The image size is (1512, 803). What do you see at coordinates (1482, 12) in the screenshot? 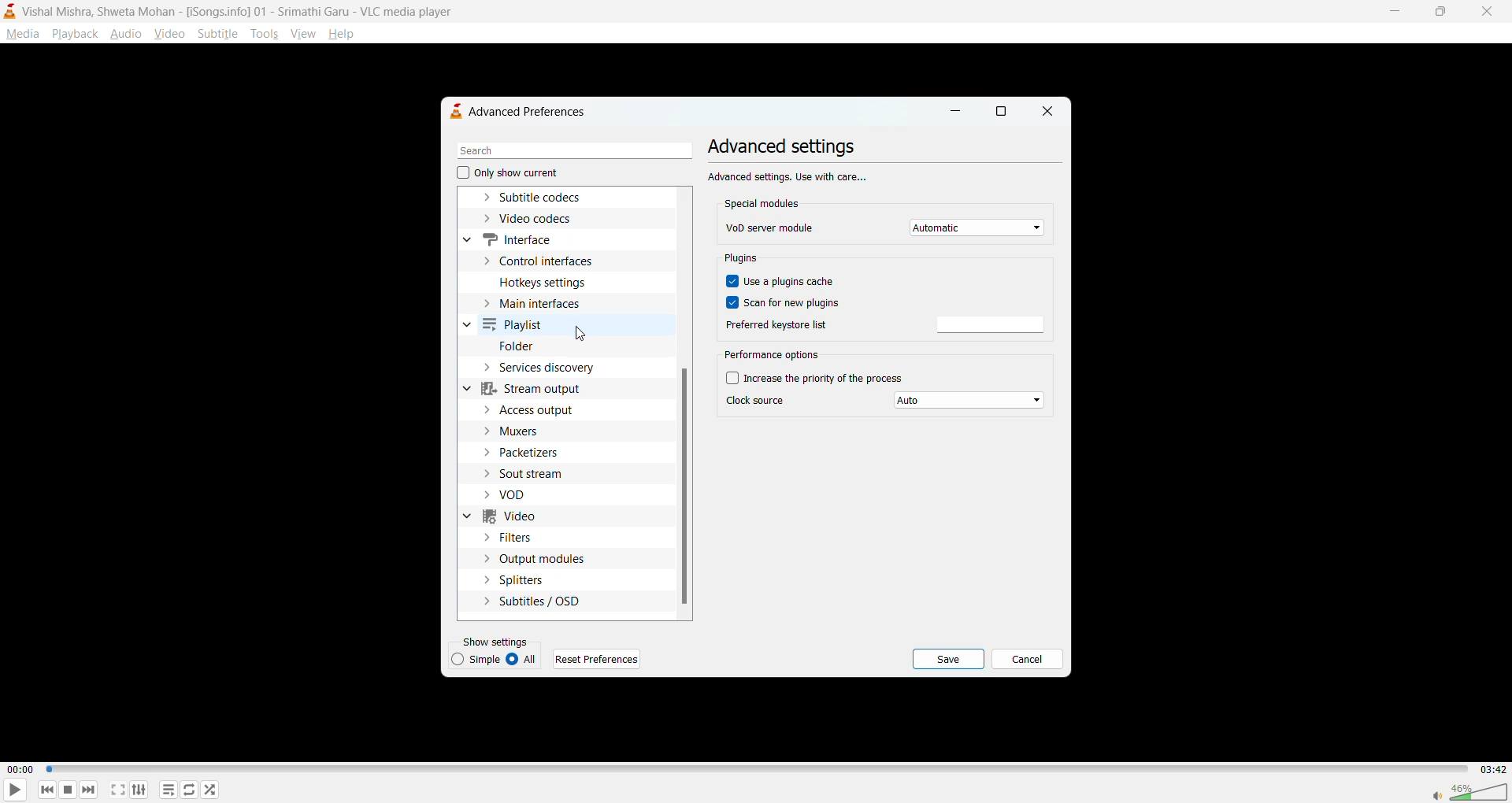
I see `close` at bounding box center [1482, 12].